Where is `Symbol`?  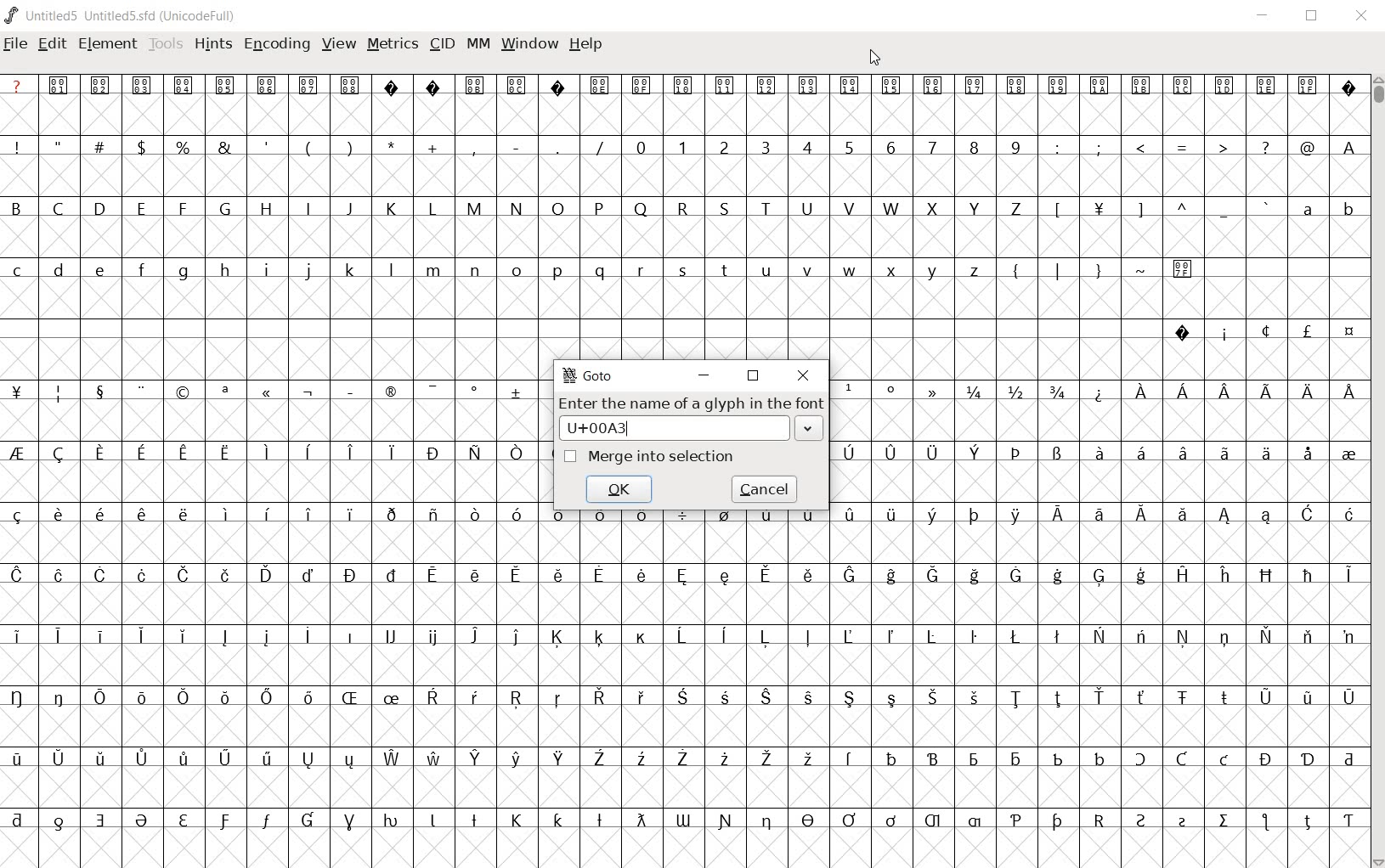
Symbol is located at coordinates (600, 576).